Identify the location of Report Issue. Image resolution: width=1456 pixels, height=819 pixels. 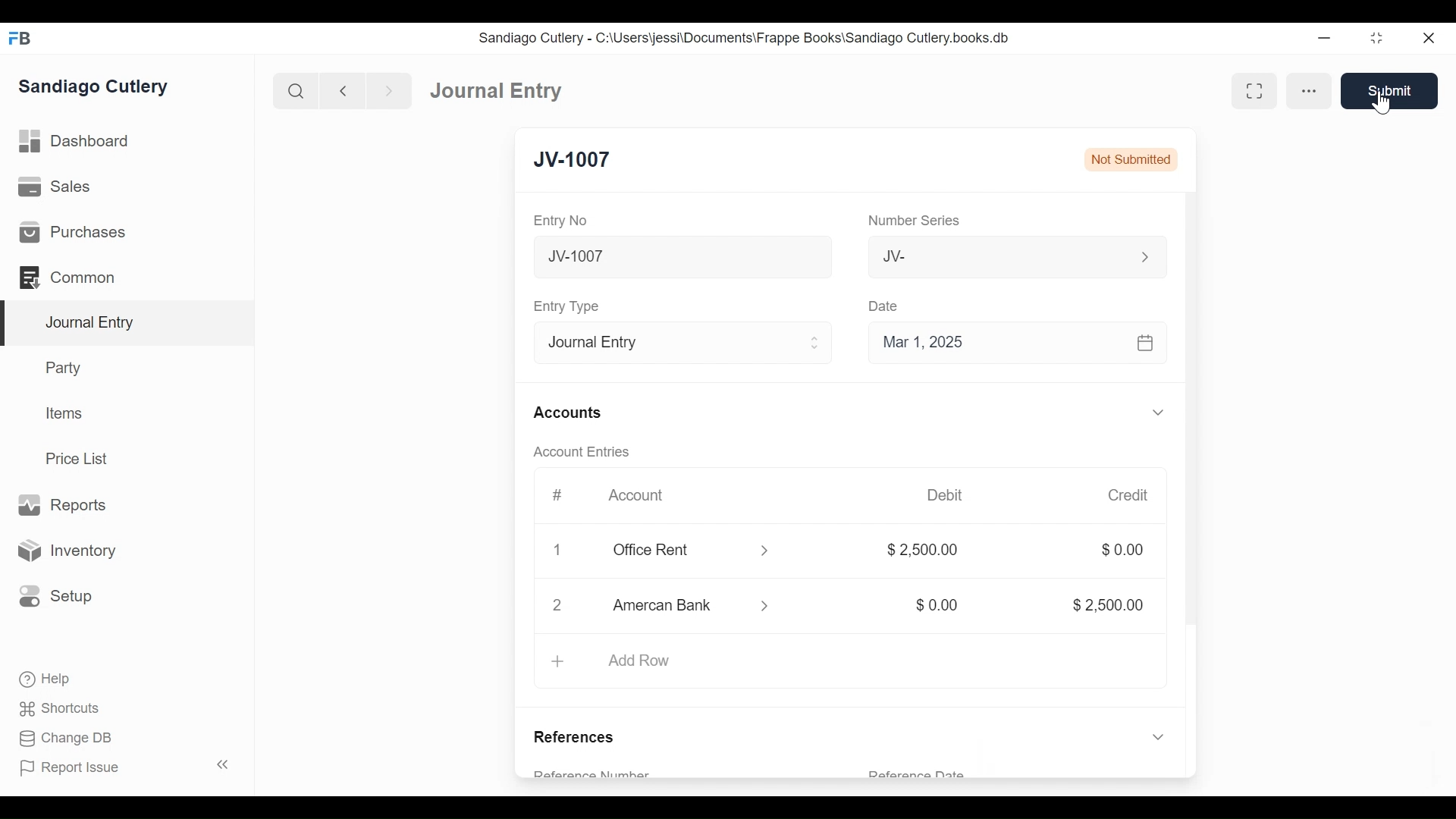
(76, 769).